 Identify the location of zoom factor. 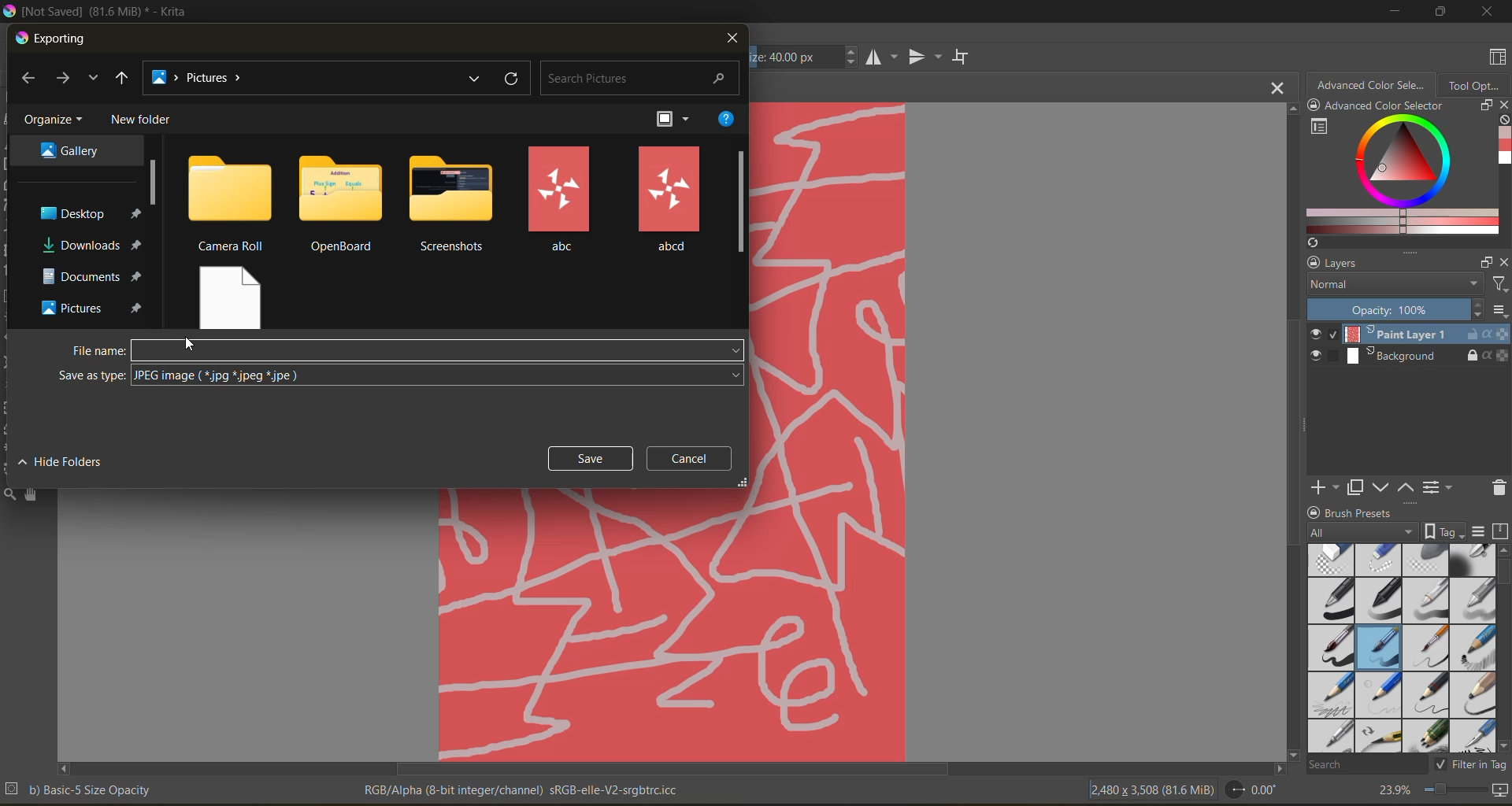
(1392, 791).